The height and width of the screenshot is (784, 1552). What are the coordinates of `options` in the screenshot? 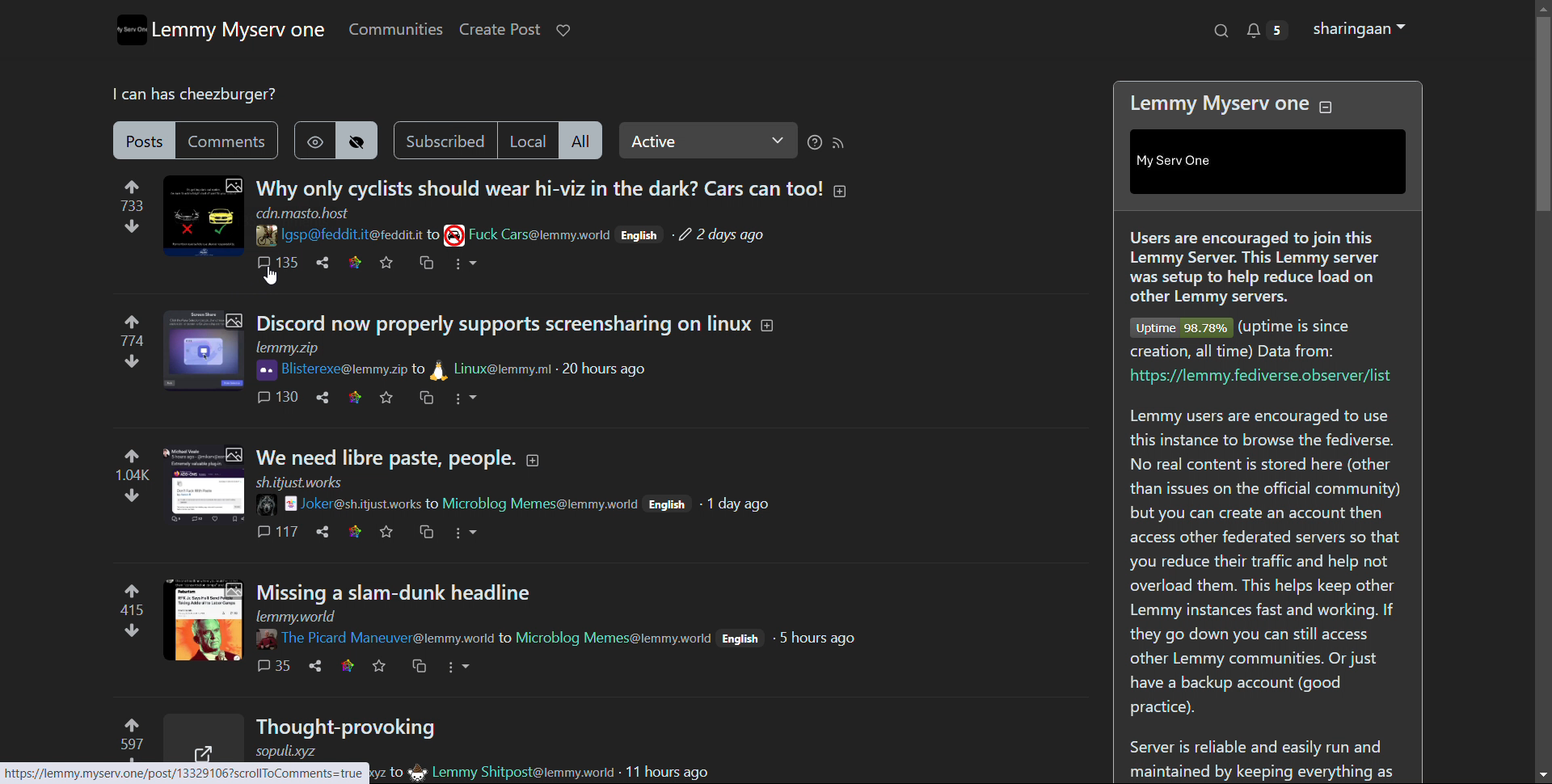 It's located at (465, 533).